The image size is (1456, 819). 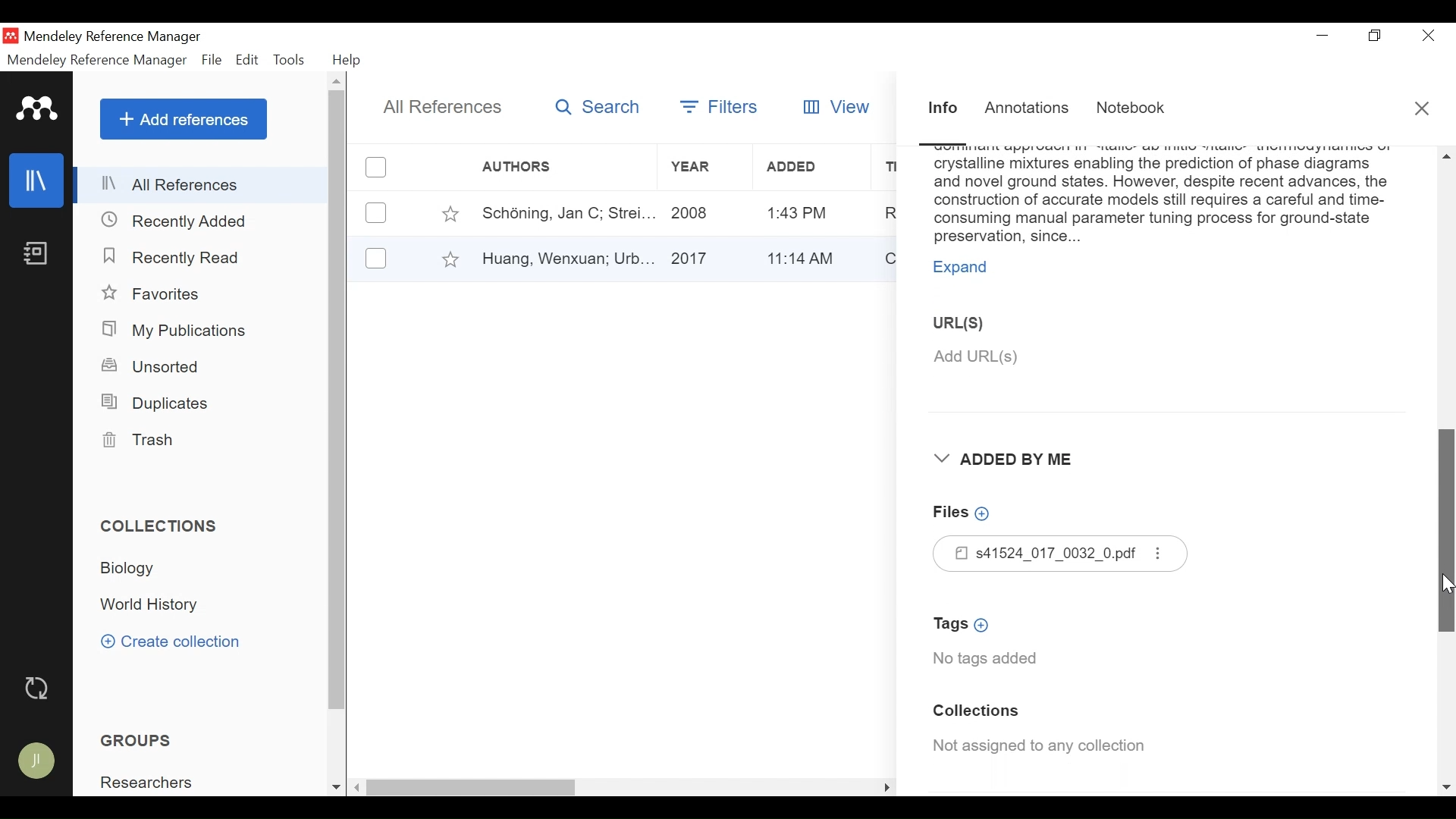 I want to click on Collections, so click(x=161, y=526).